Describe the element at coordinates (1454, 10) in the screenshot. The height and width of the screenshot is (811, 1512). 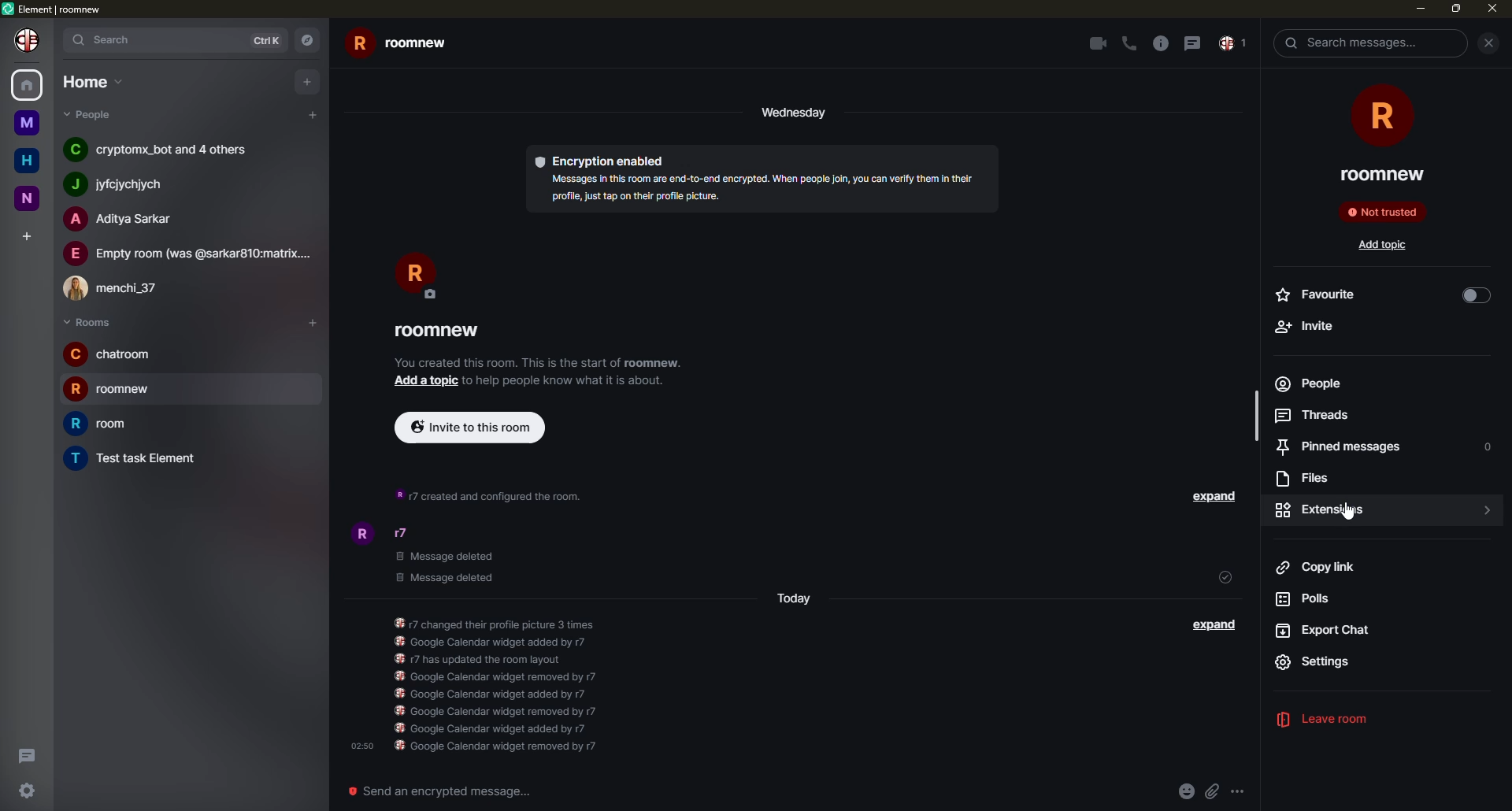
I see `max` at that location.